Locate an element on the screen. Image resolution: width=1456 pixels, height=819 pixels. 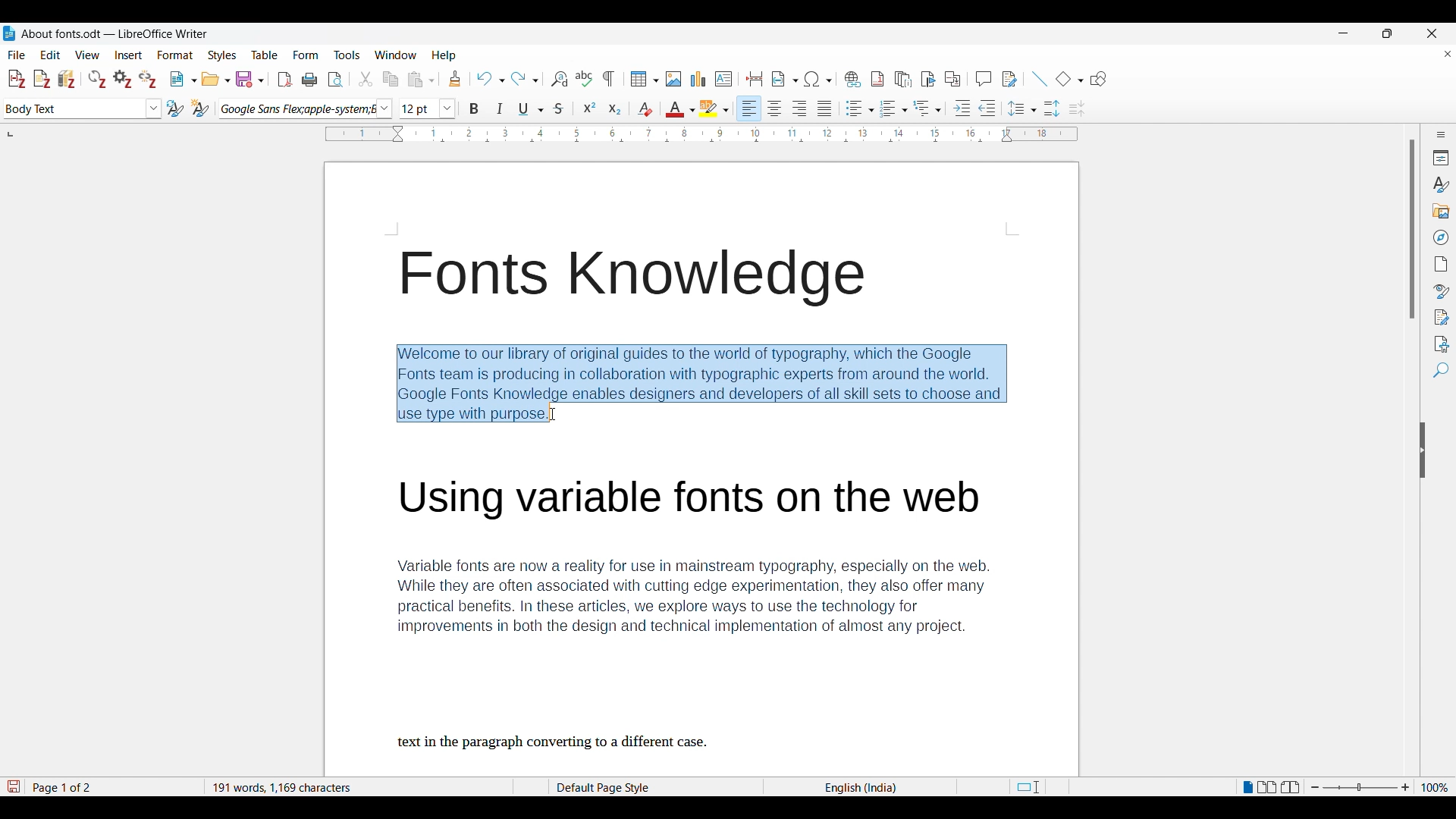
Show in smaller tab is located at coordinates (1387, 33).